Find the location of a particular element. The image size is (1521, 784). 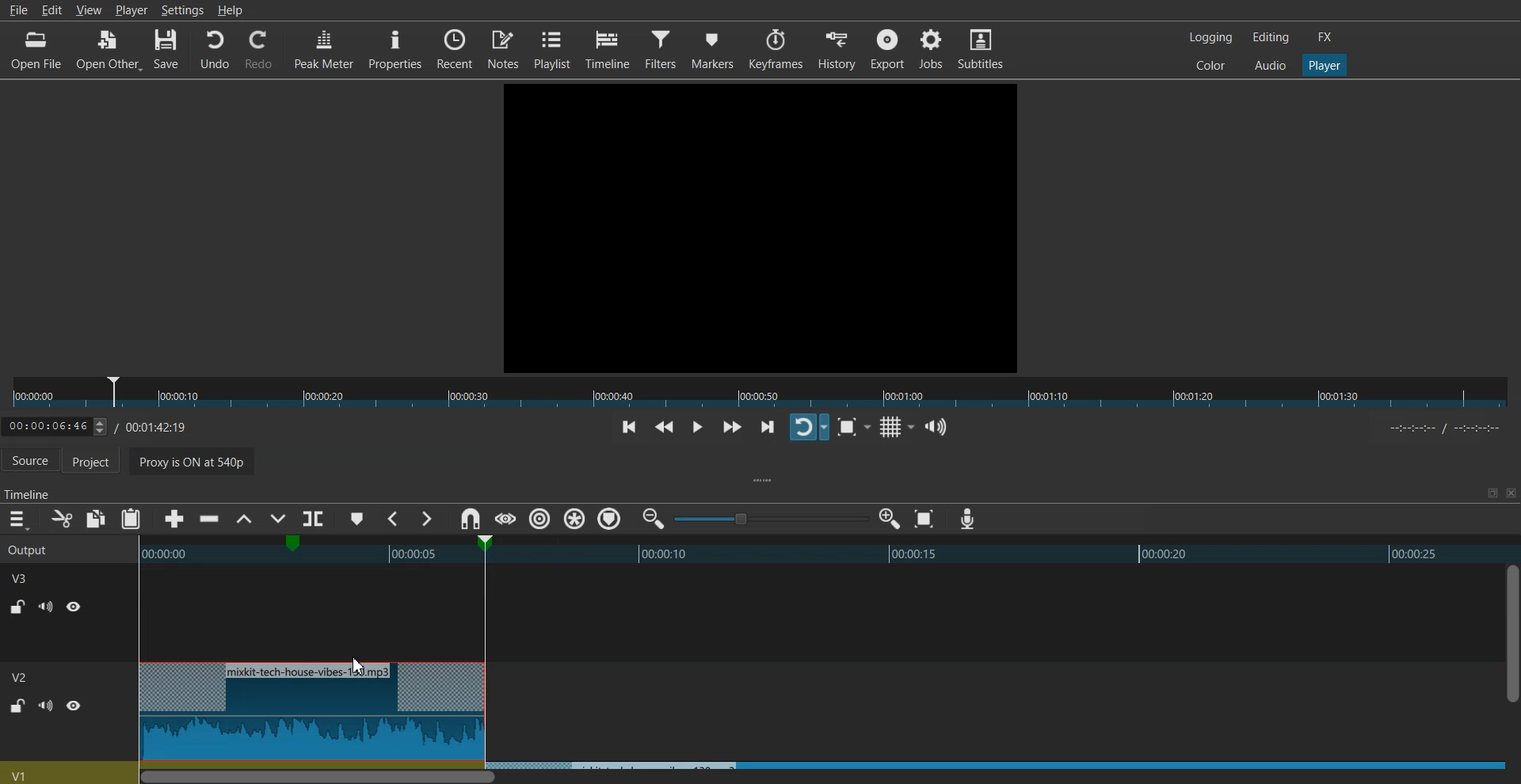

Lock / UnLock is located at coordinates (17, 706).